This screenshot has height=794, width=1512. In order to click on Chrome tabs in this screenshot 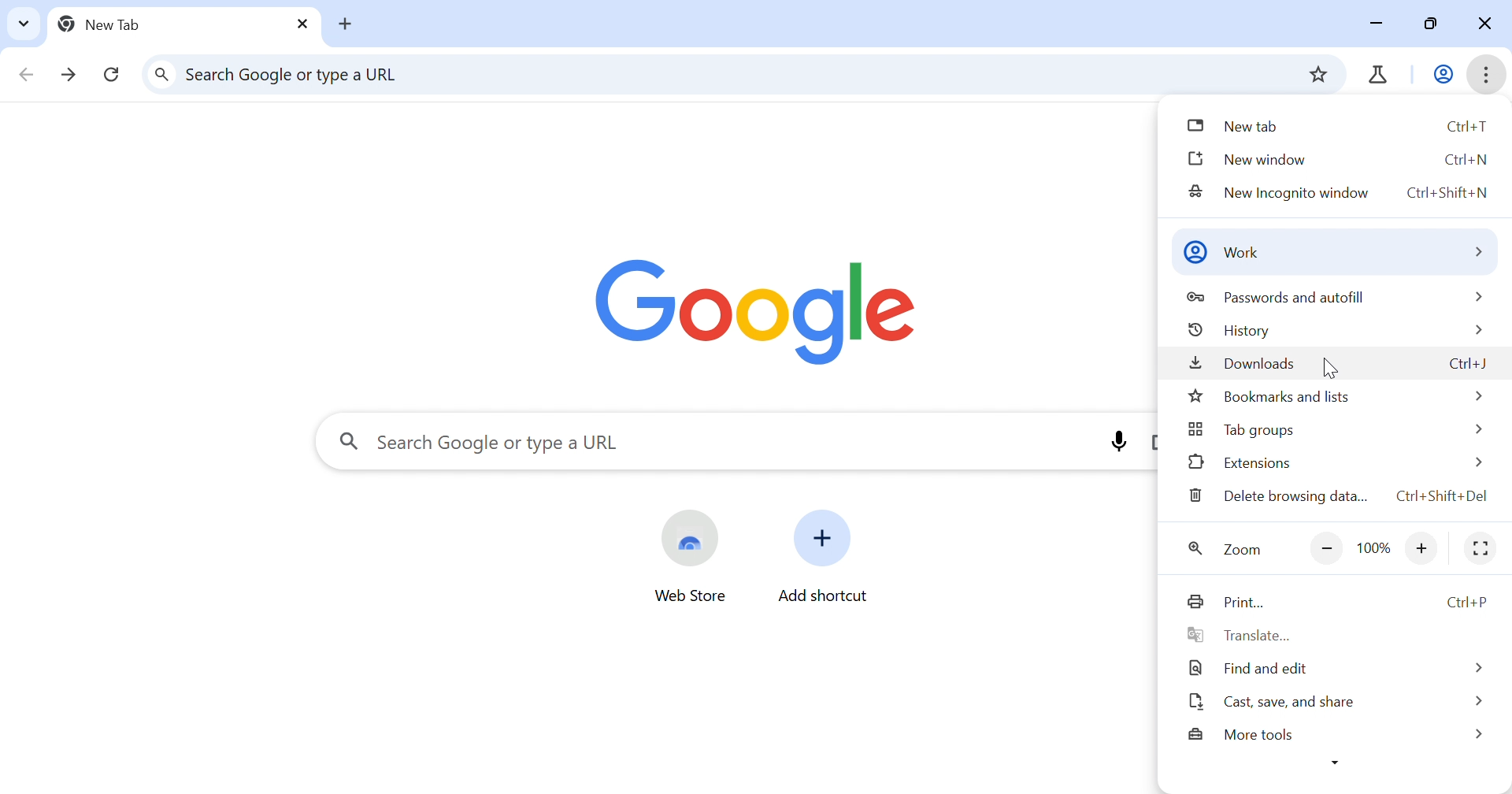, I will do `click(1373, 76)`.